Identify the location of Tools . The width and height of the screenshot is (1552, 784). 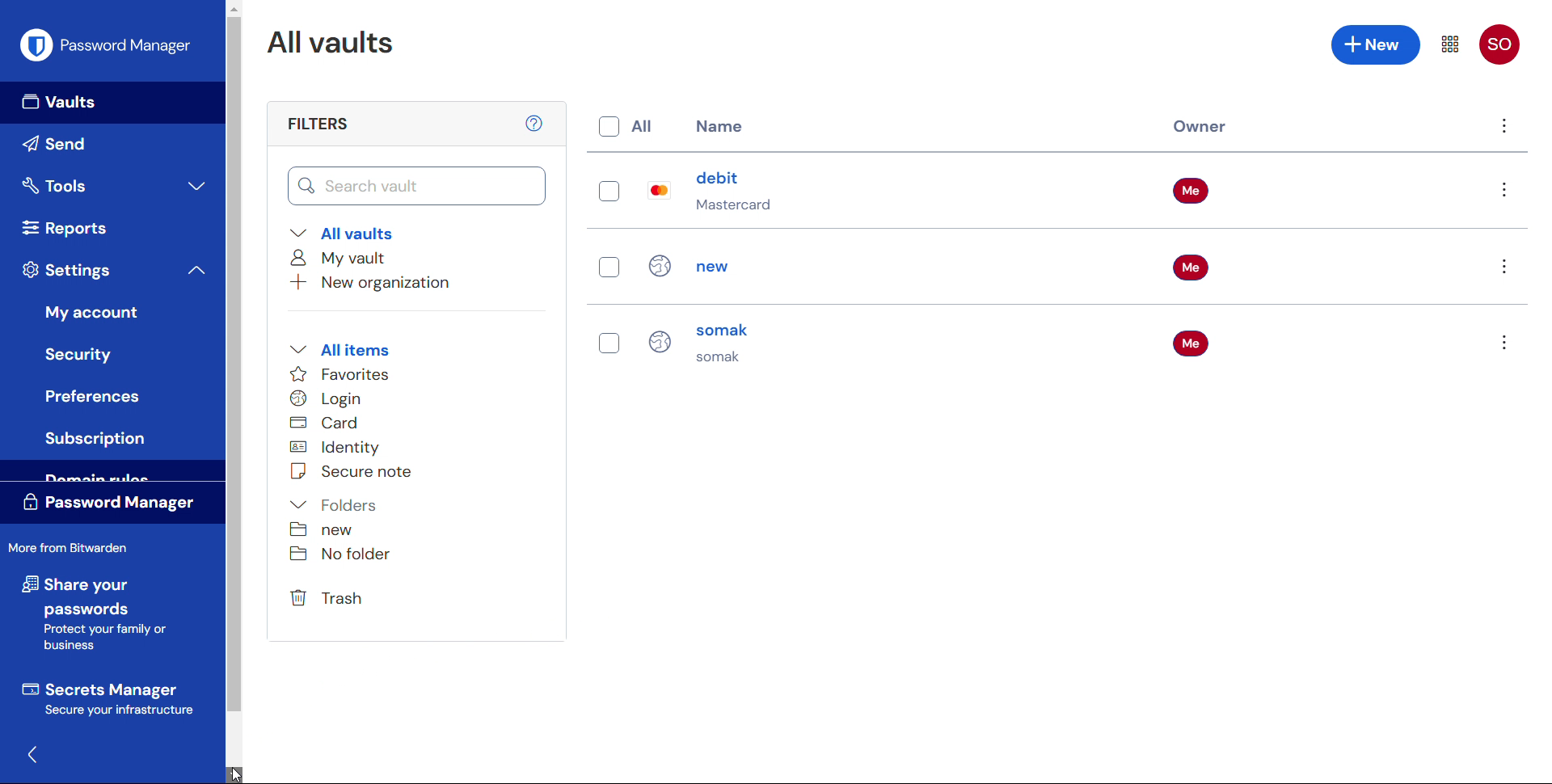
(86, 185).